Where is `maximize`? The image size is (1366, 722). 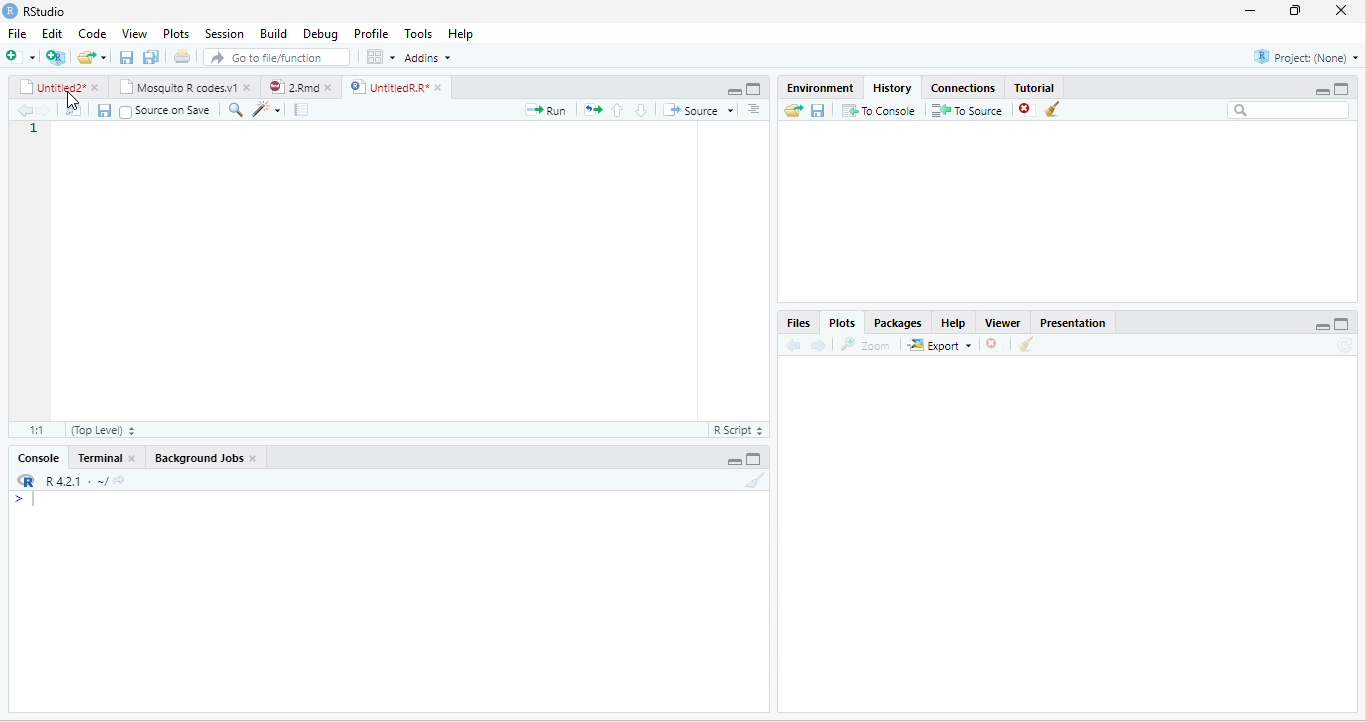
maximize is located at coordinates (755, 459).